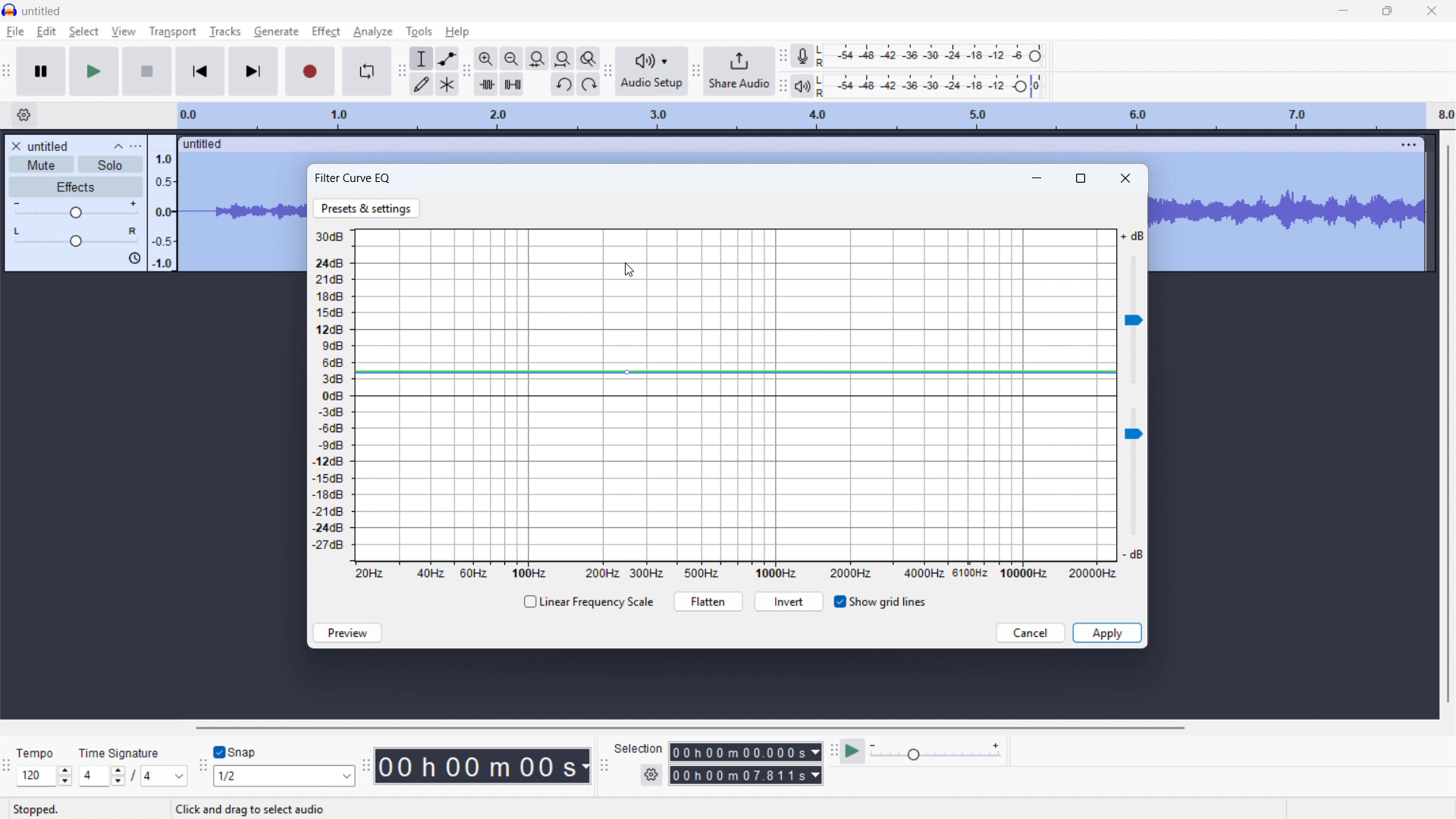 Image resolution: width=1456 pixels, height=819 pixels. I want to click on Playback speed , so click(935, 752).